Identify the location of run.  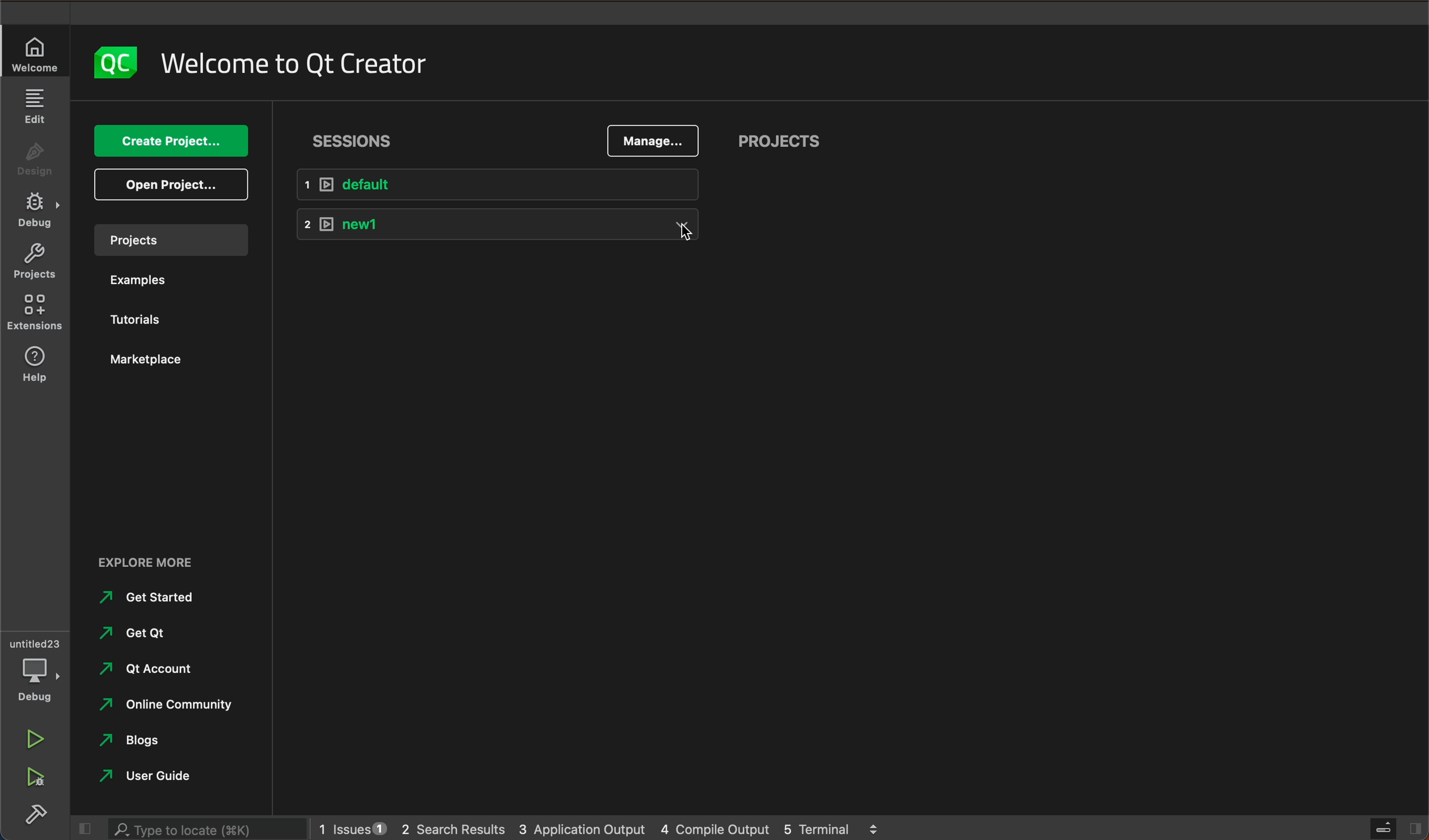
(32, 741).